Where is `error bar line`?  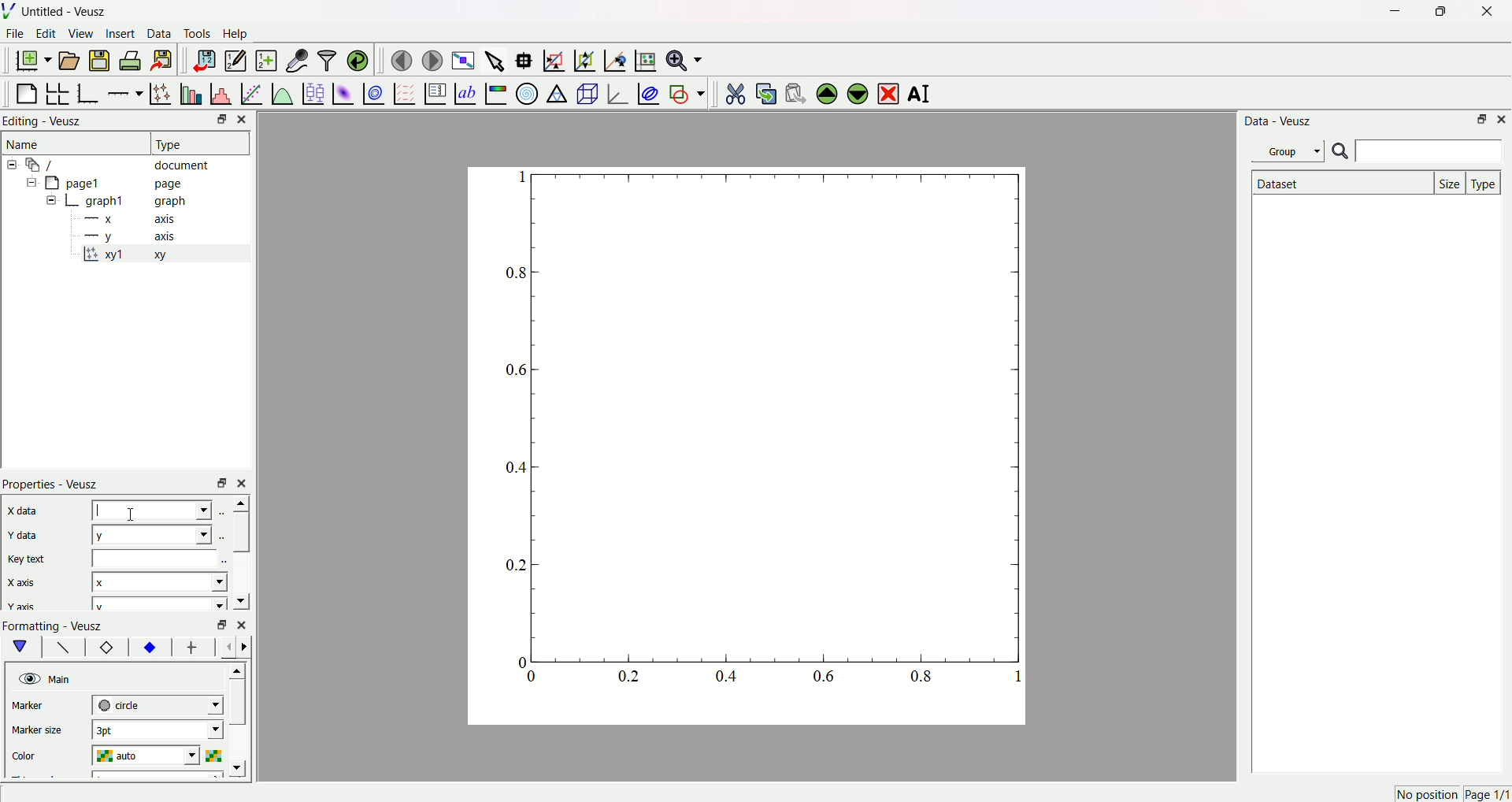
error bar line is located at coordinates (192, 649).